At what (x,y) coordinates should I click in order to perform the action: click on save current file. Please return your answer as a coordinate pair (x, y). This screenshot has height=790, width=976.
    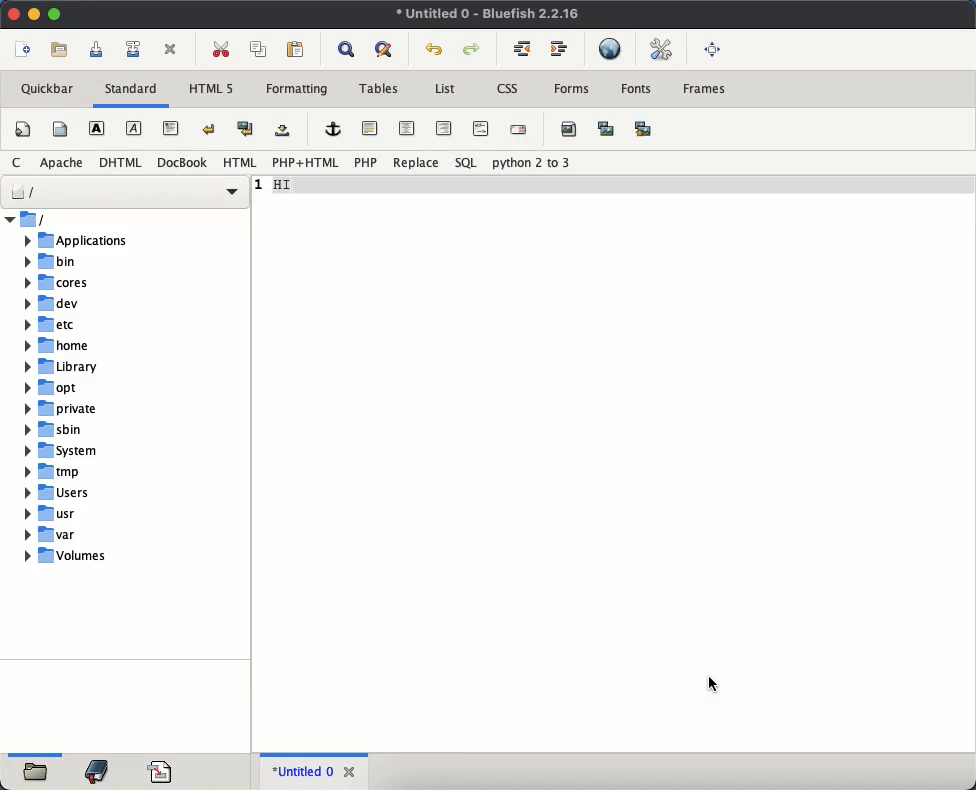
    Looking at the image, I should click on (97, 48).